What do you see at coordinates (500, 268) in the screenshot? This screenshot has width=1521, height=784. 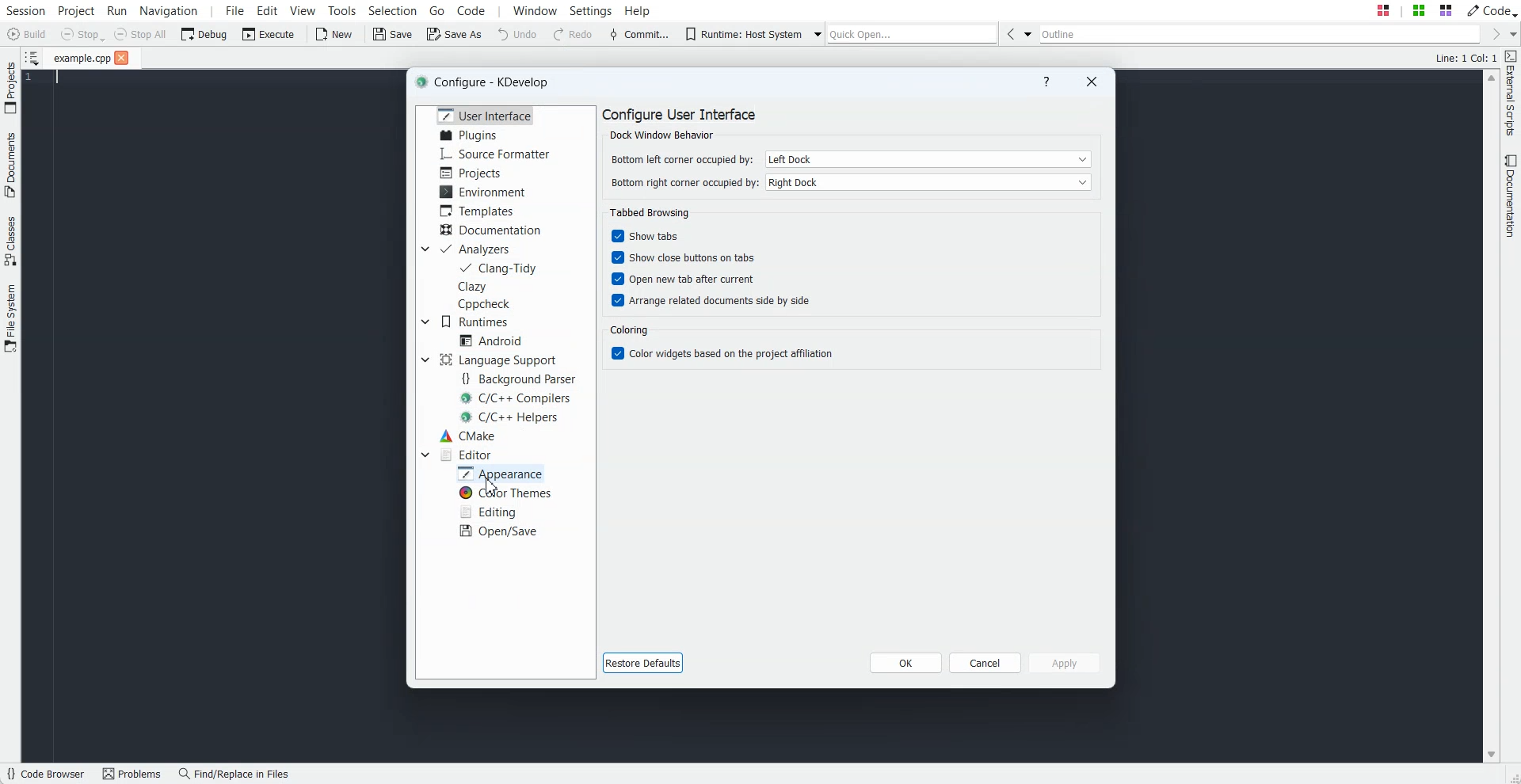 I see `Clang-Tidy` at bounding box center [500, 268].